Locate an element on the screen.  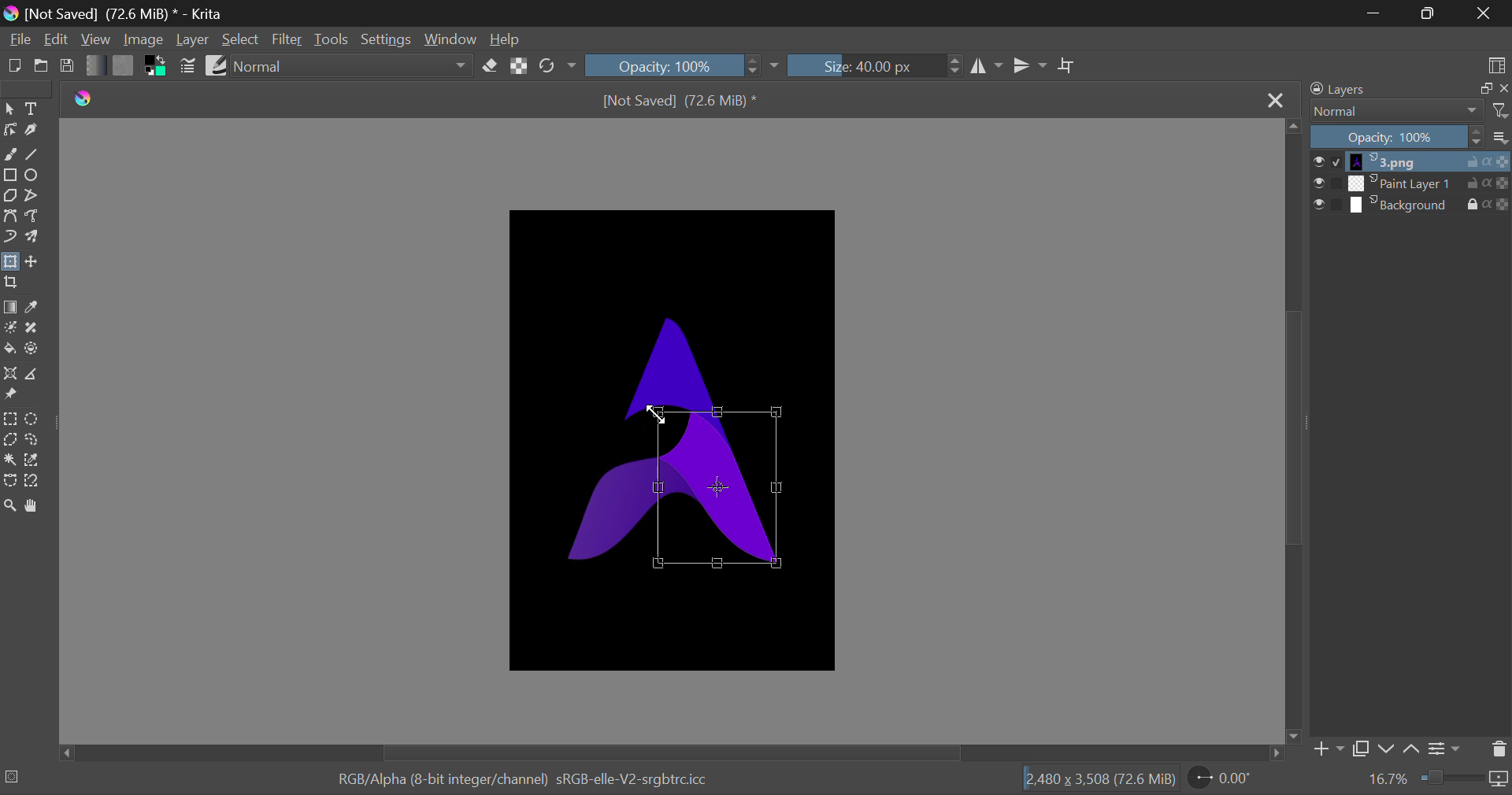
filter is located at coordinates (1499, 113).